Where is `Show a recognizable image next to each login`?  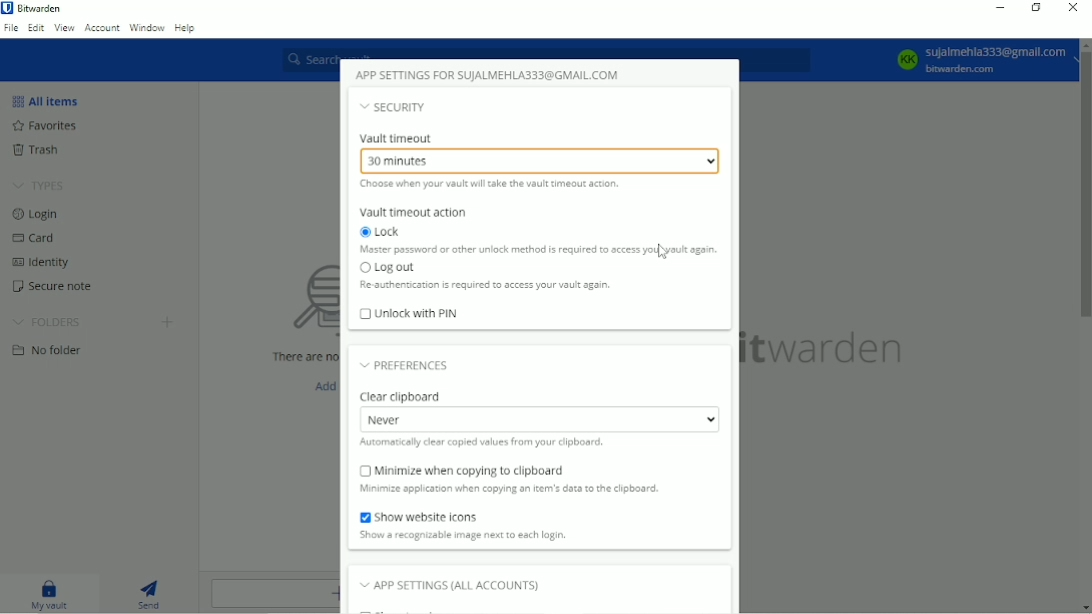
Show a recognizable image next to each login is located at coordinates (484, 535).